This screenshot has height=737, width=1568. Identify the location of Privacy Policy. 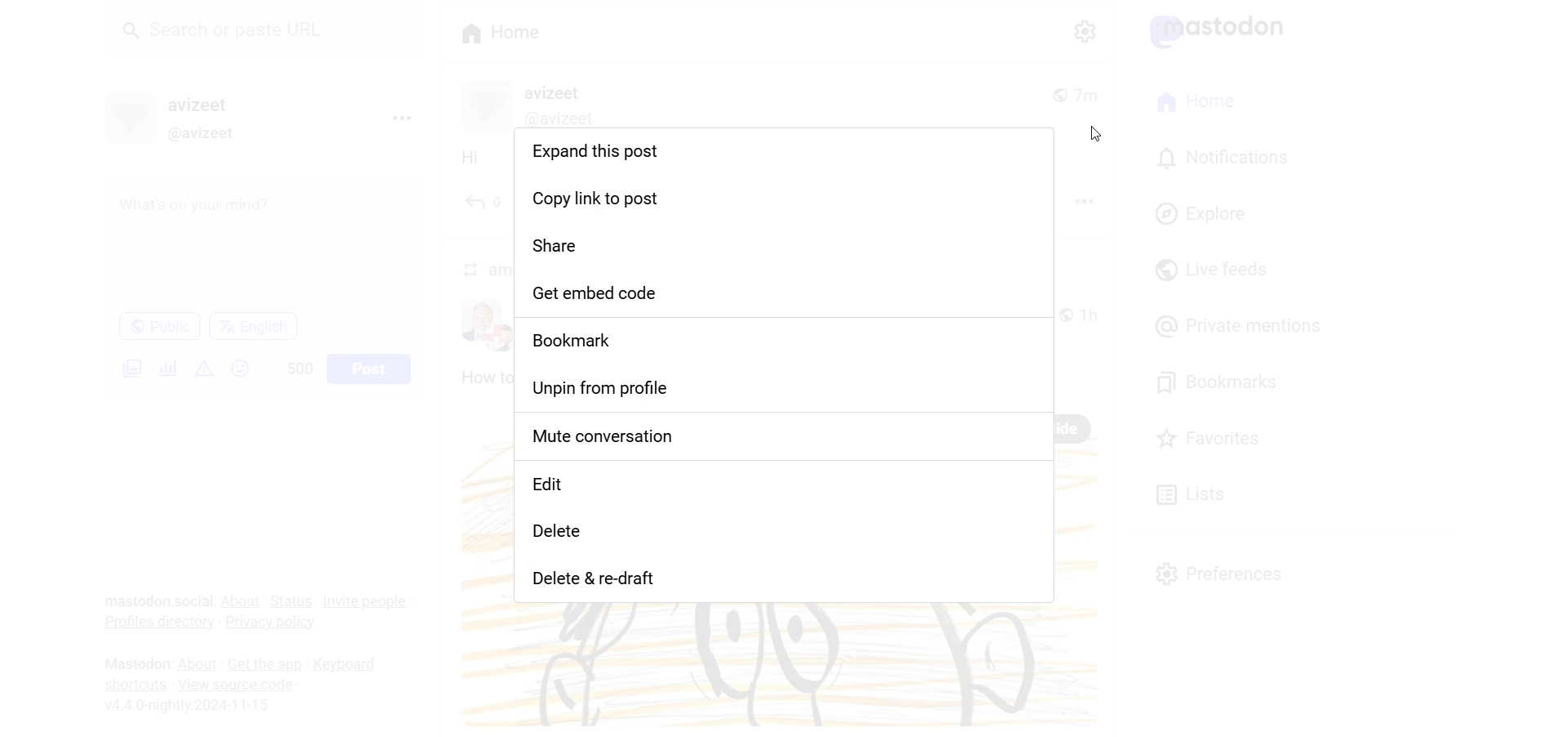
(274, 622).